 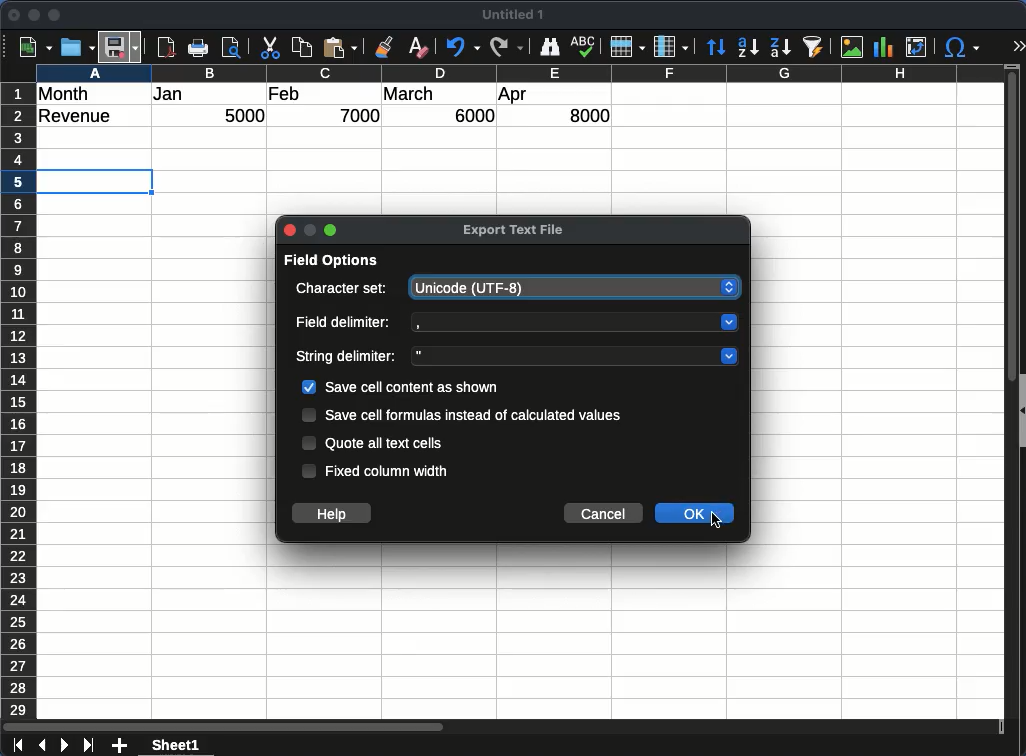 I want to click on open, so click(x=76, y=48).